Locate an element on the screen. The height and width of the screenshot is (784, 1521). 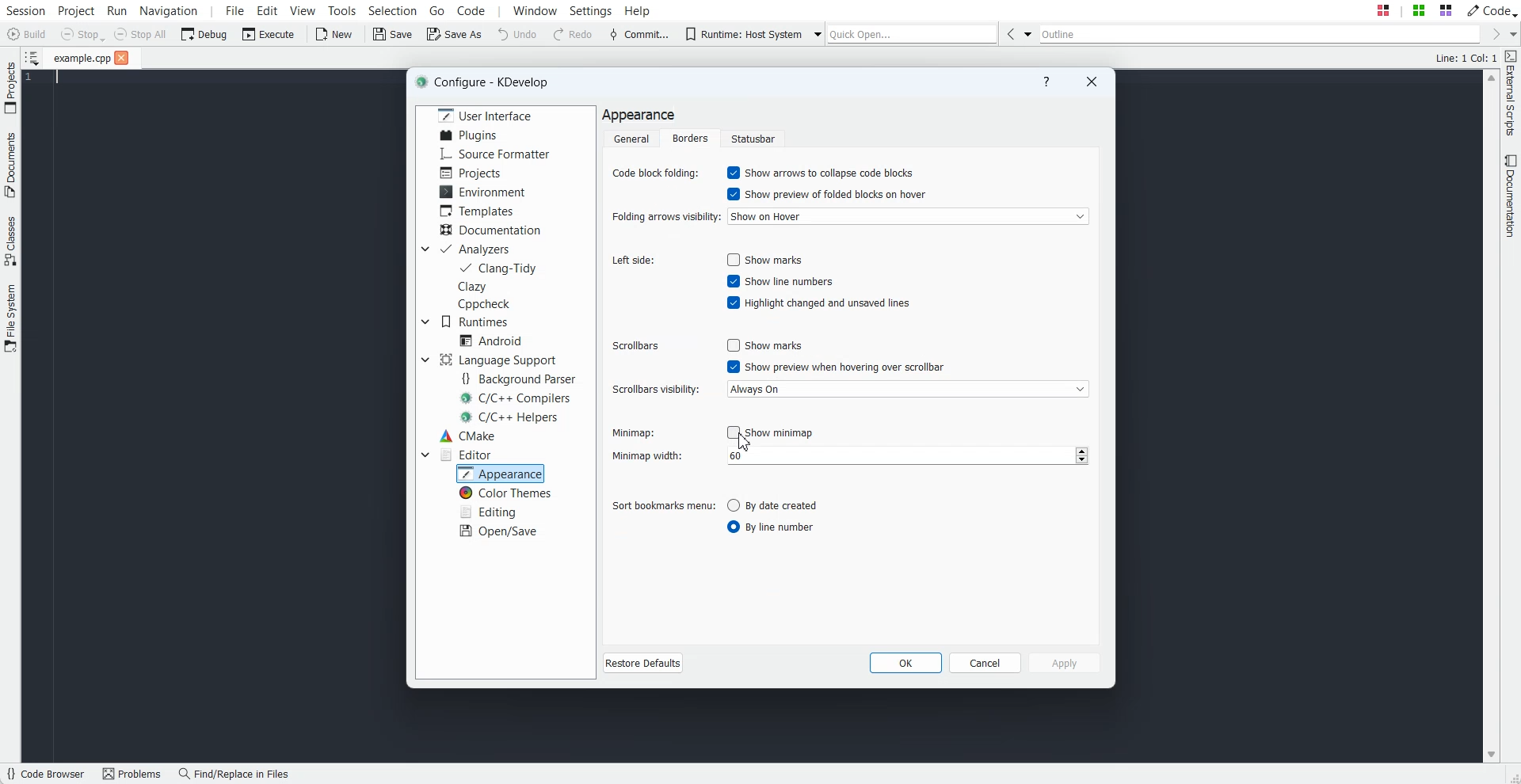
C/C++ Helpers is located at coordinates (511, 417).